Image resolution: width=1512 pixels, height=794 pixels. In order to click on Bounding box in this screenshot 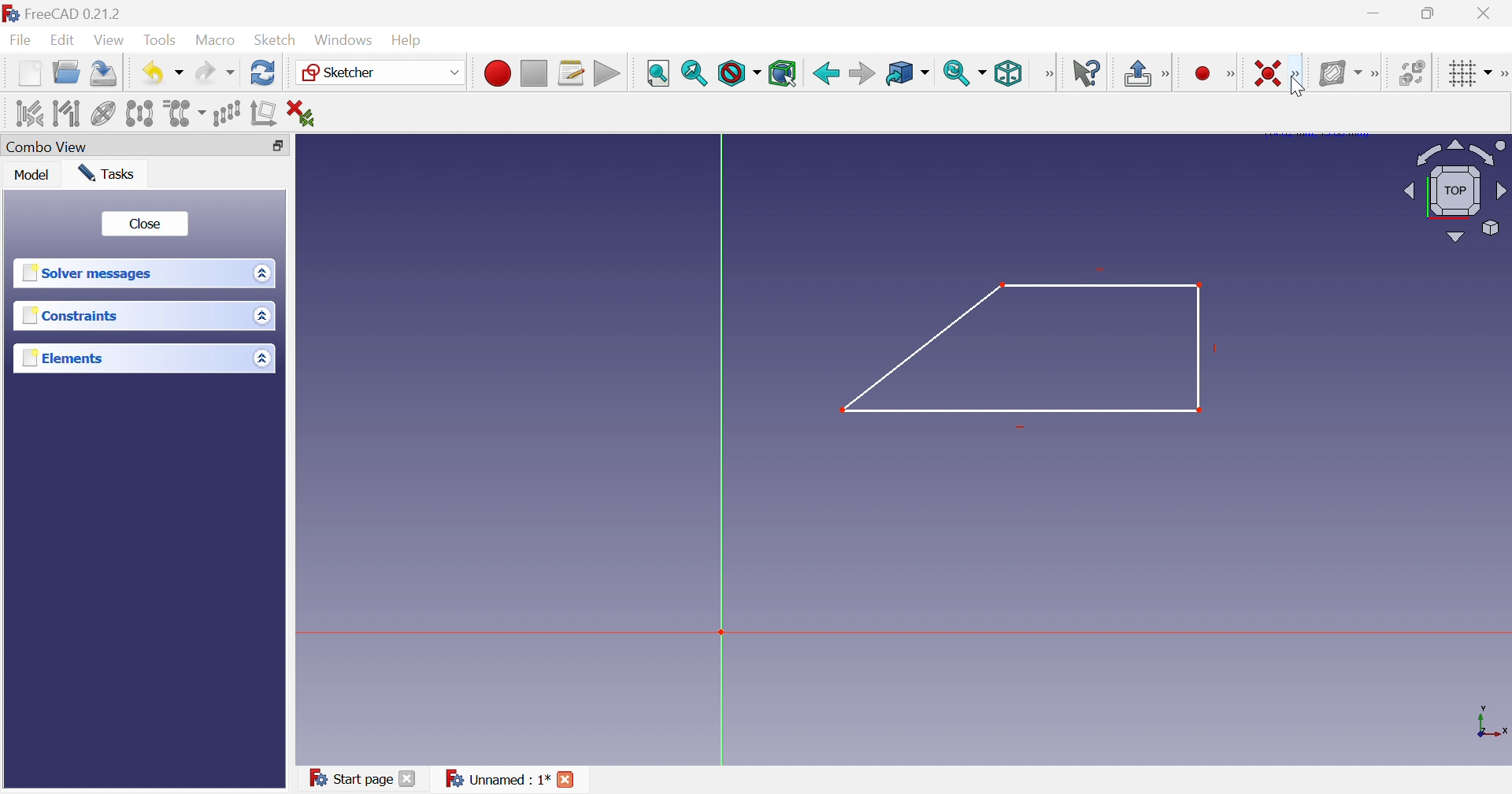, I will do `click(784, 72)`.